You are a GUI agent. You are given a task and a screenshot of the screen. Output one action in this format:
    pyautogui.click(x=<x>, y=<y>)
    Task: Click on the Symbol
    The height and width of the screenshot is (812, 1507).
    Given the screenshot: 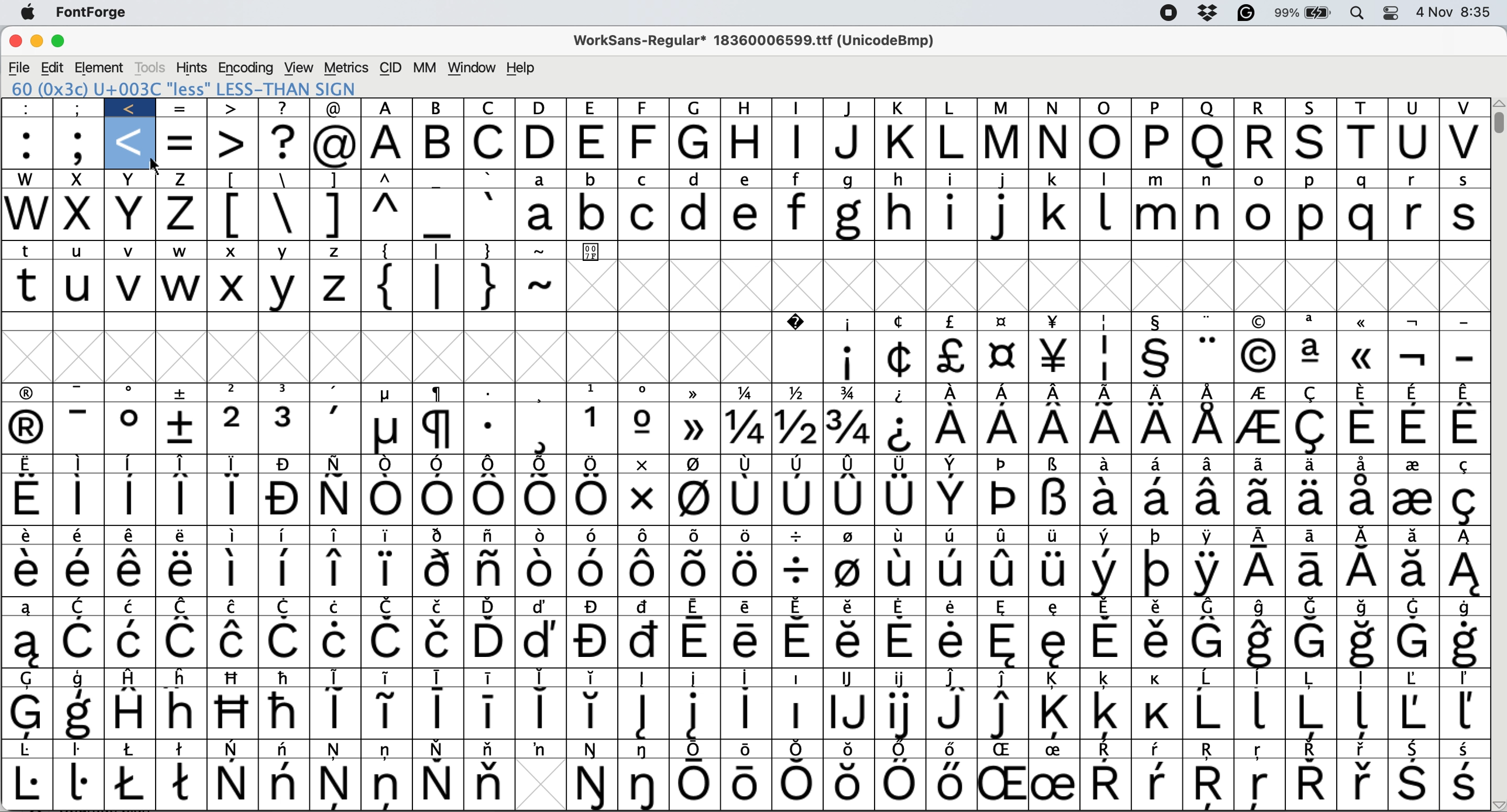 What is the action you would take?
    pyautogui.click(x=339, y=391)
    